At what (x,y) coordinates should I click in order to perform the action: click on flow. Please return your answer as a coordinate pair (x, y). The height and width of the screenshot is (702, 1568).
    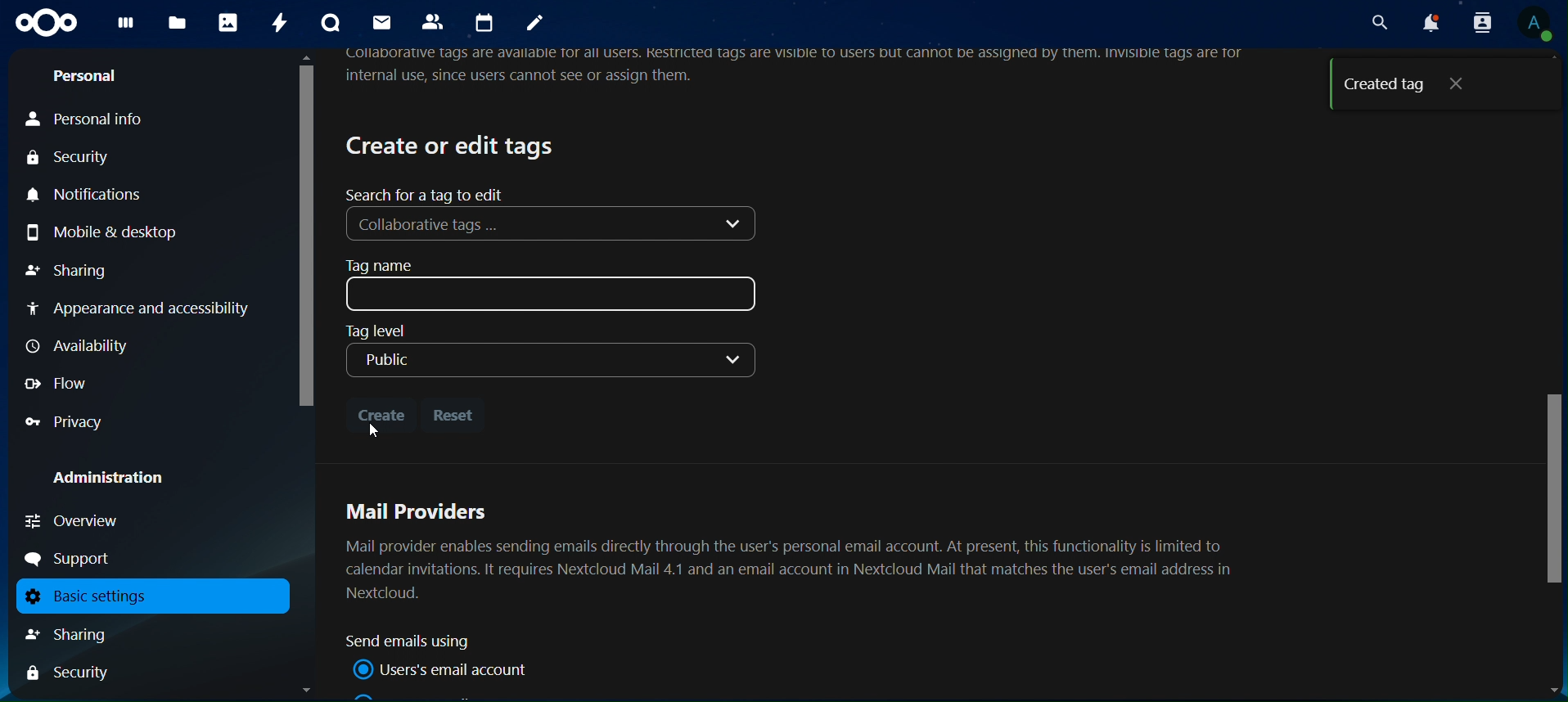
    Looking at the image, I should click on (59, 383).